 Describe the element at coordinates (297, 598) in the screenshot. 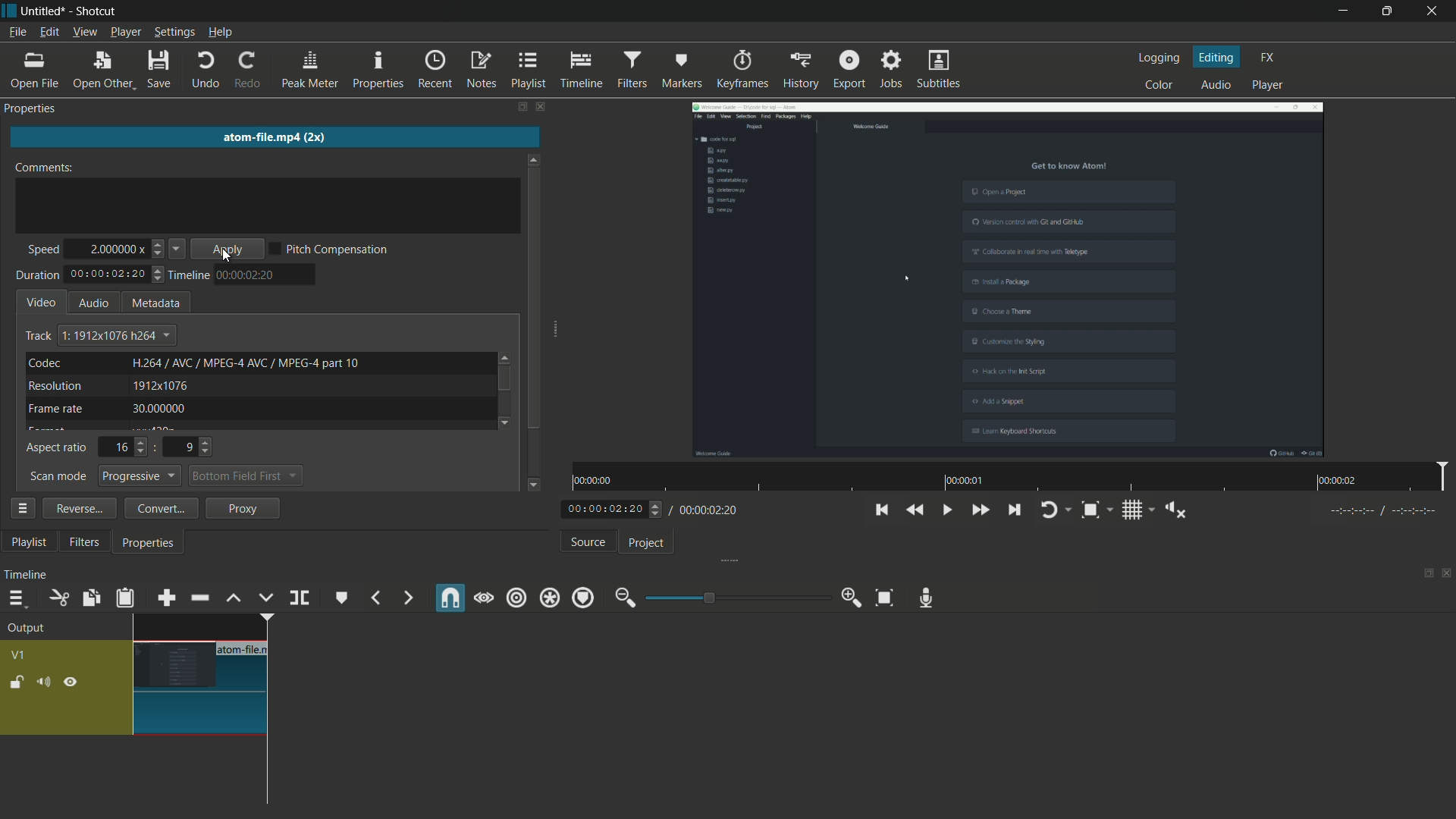

I see `split at playhead` at that location.